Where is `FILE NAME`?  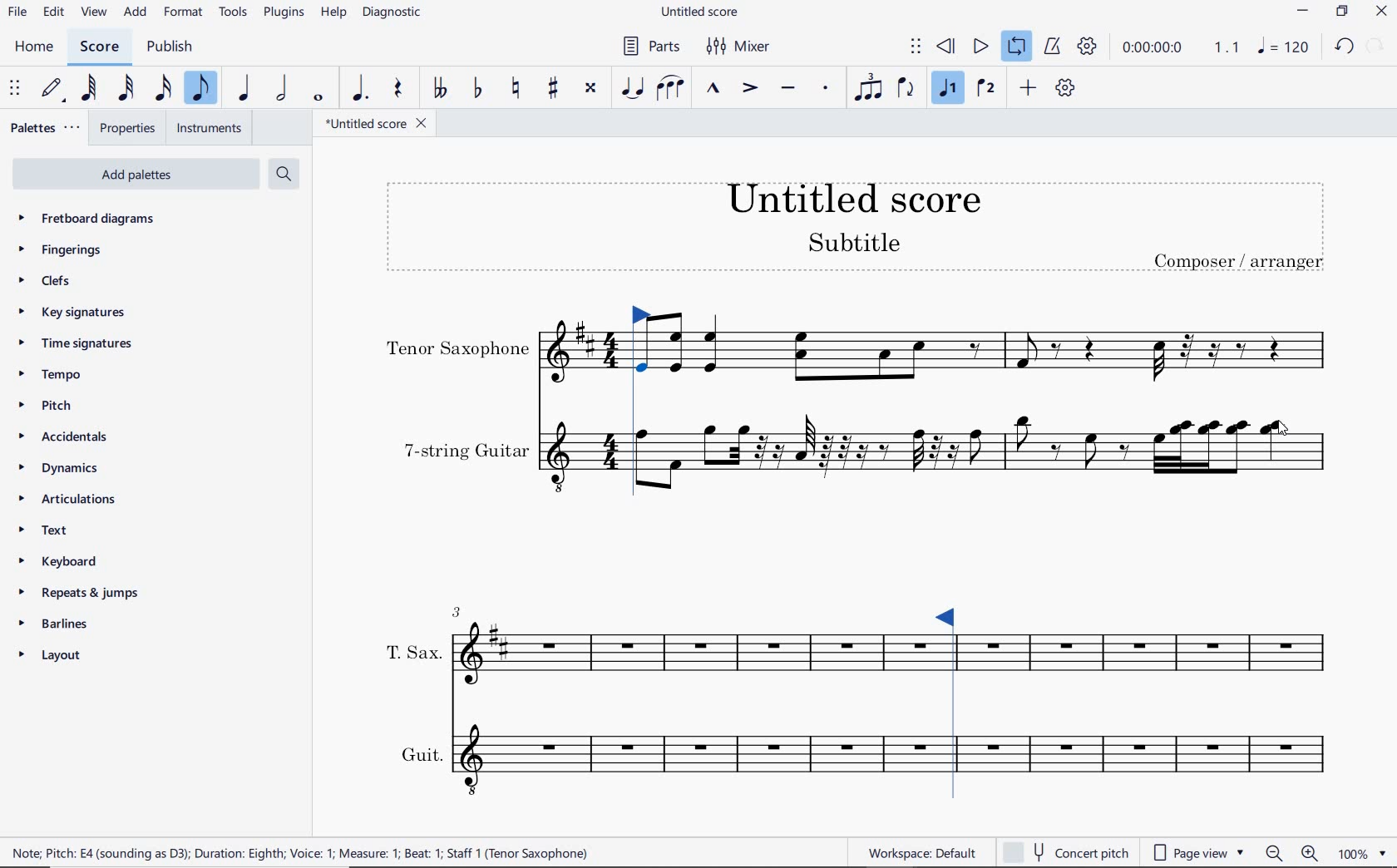 FILE NAME is located at coordinates (378, 126).